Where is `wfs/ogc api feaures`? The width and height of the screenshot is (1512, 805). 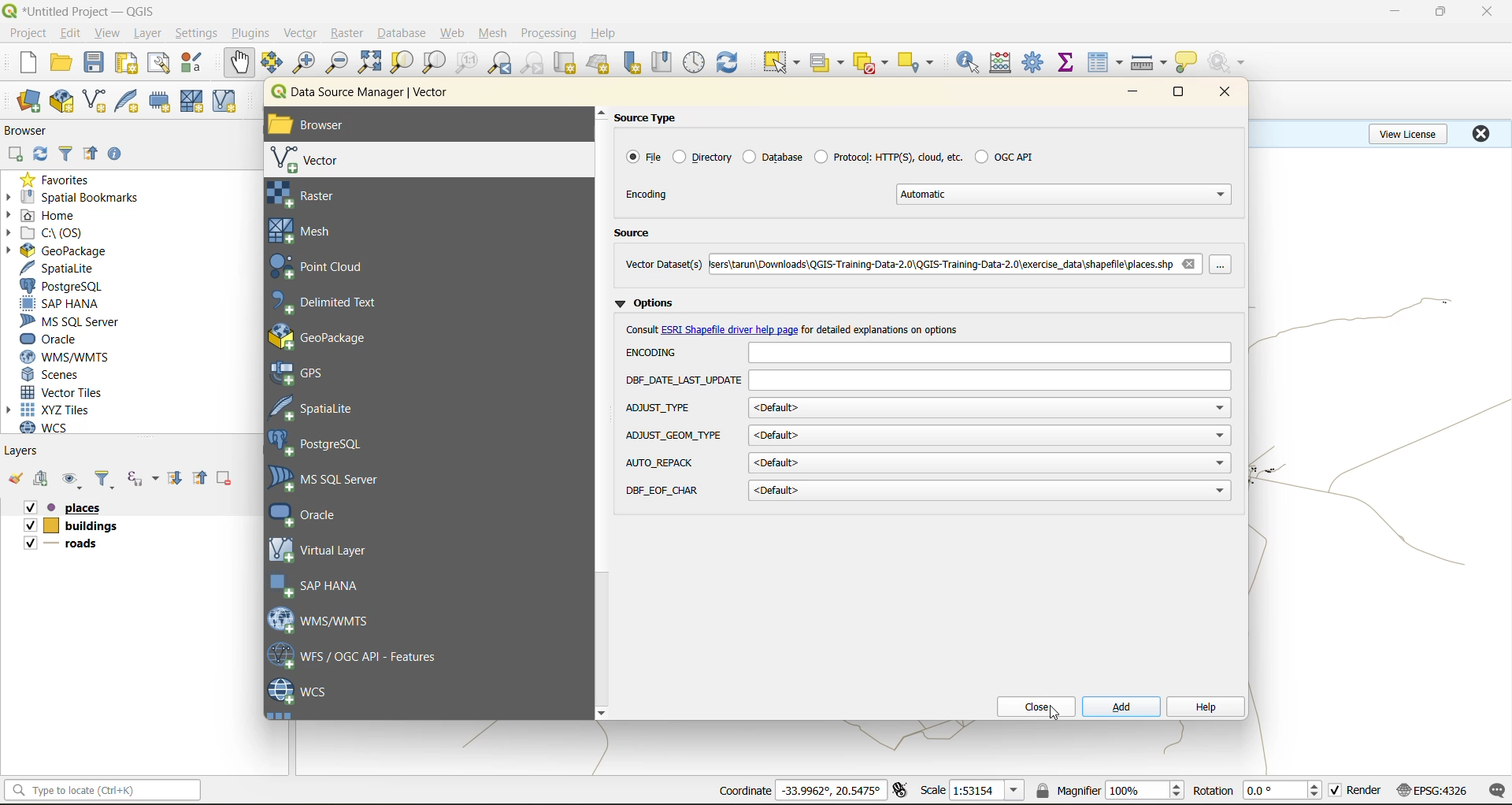 wfs/ogc api feaures is located at coordinates (361, 655).